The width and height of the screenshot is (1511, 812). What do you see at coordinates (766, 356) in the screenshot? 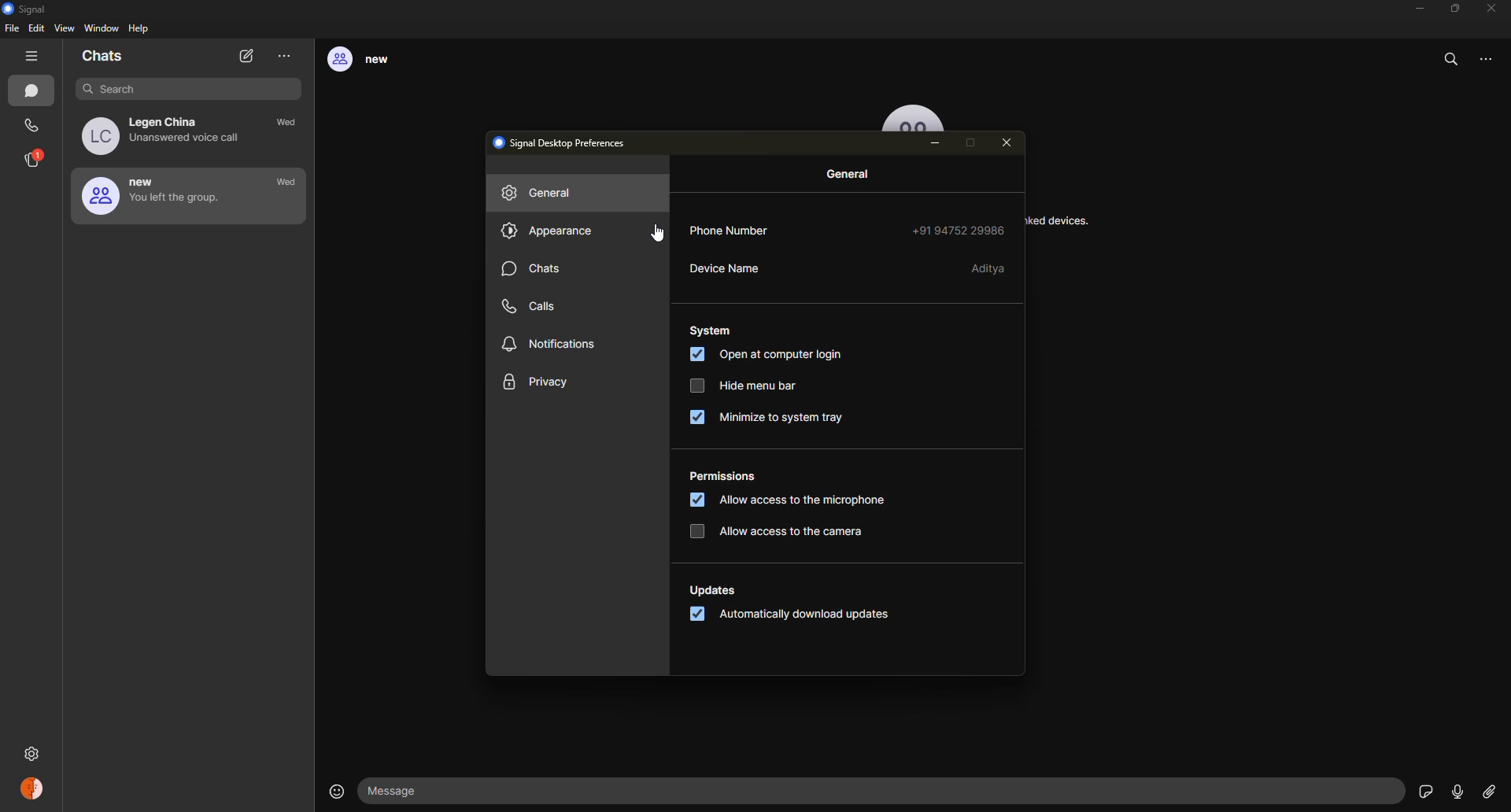
I see `open at login` at bounding box center [766, 356].